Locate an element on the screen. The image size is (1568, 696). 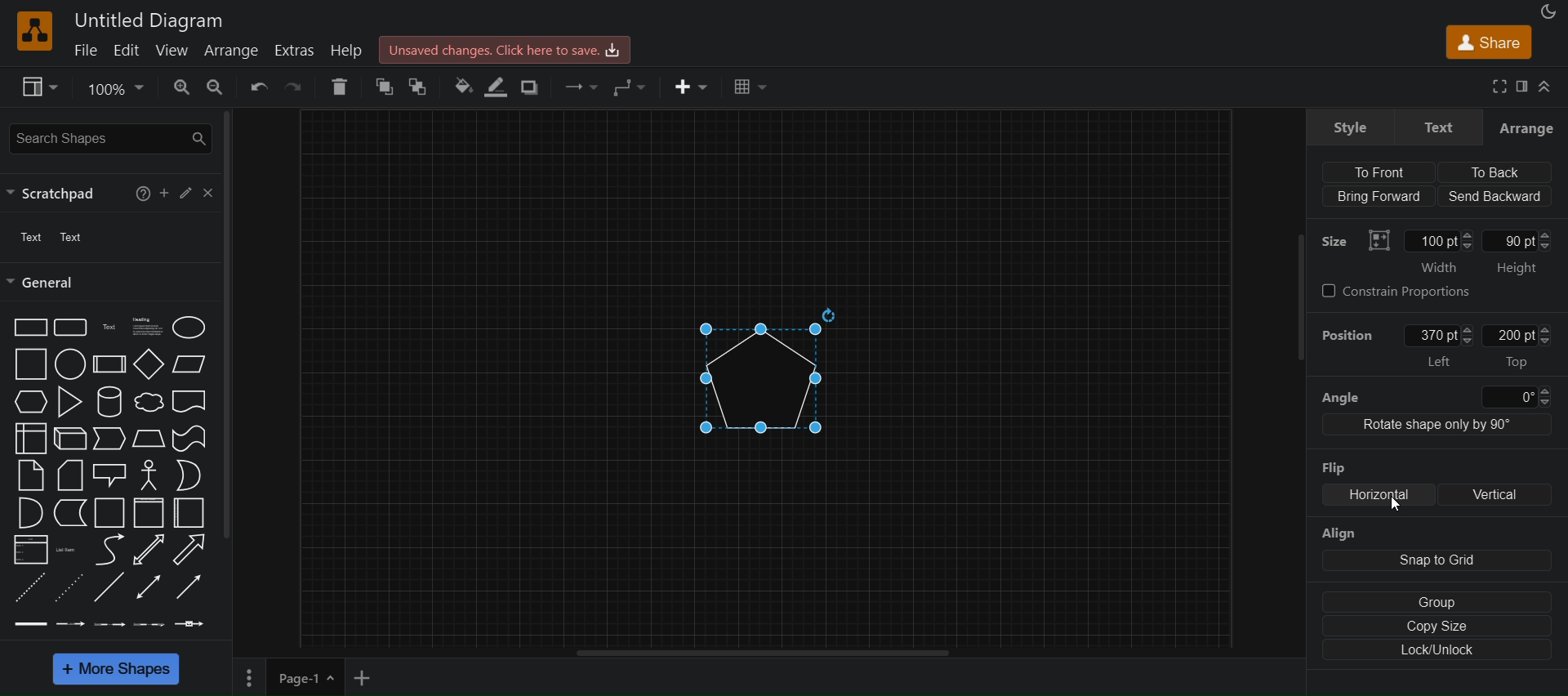
Connector with 2 labels is located at coordinates (109, 625).